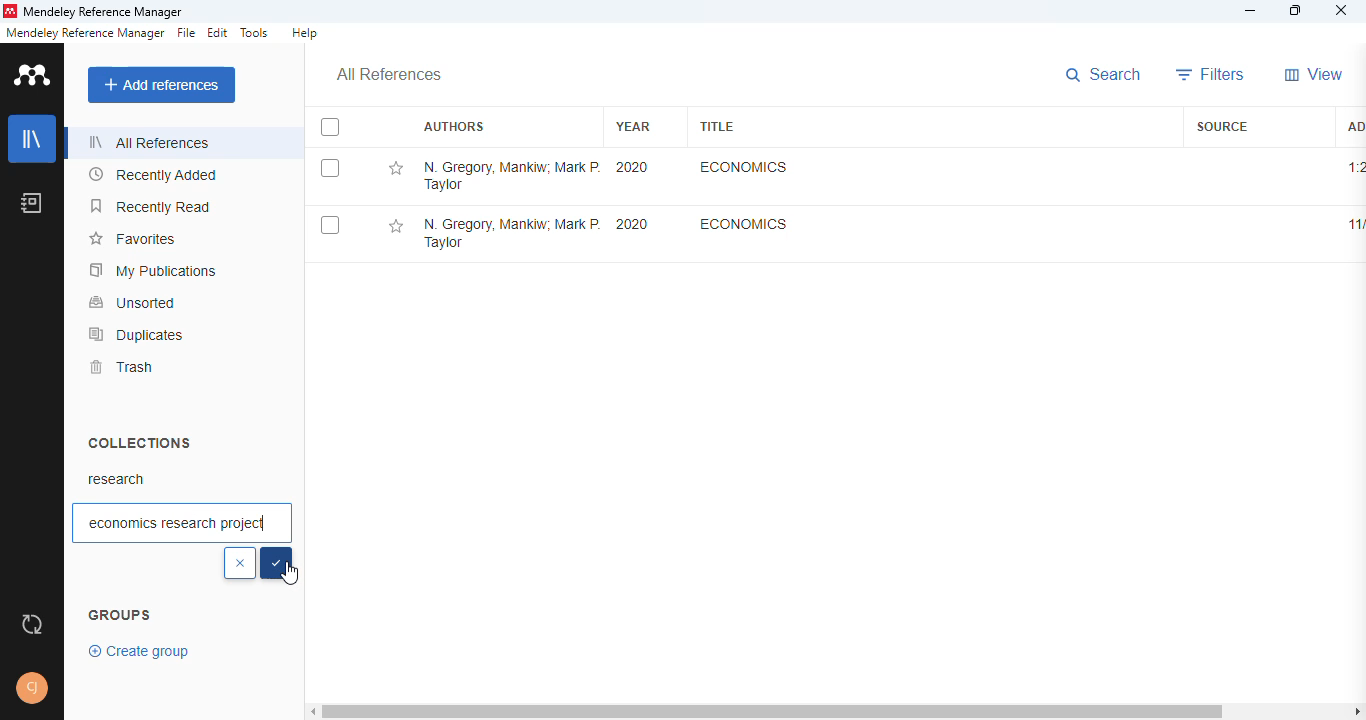  I want to click on add references, so click(162, 85).